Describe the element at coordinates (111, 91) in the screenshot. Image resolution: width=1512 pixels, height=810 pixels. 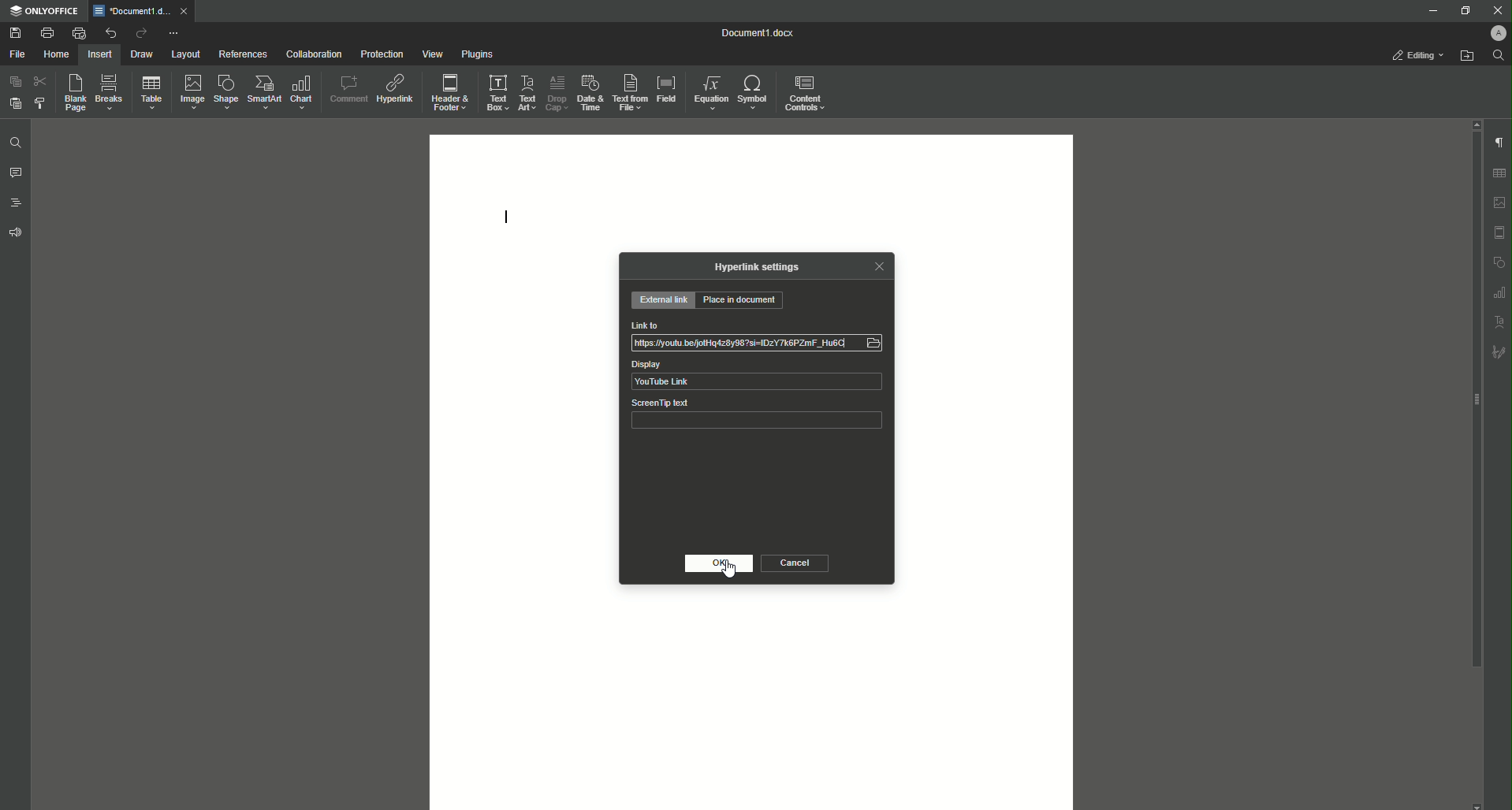
I see `Breaks` at that location.